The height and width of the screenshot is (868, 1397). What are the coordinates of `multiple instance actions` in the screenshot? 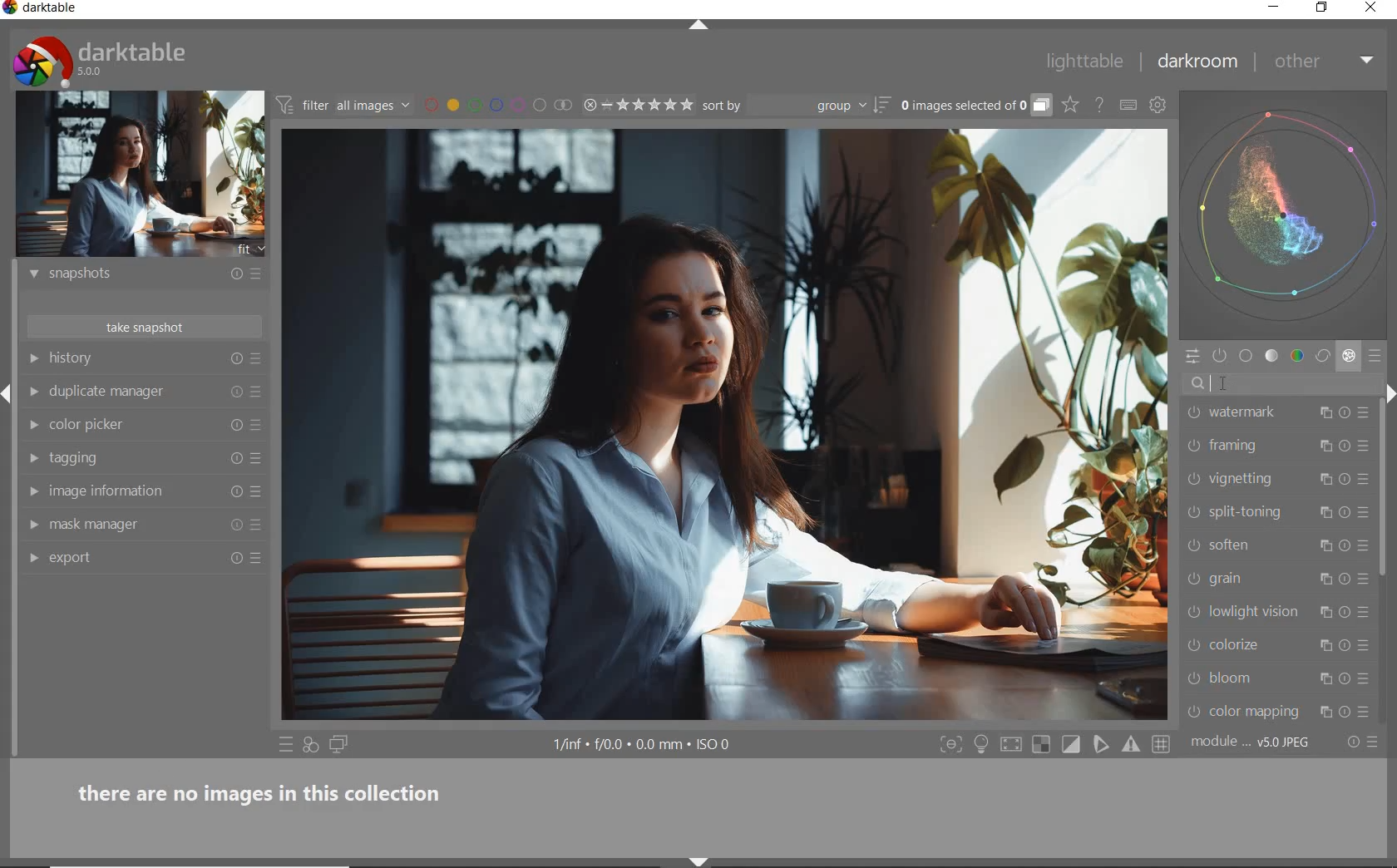 It's located at (1325, 579).